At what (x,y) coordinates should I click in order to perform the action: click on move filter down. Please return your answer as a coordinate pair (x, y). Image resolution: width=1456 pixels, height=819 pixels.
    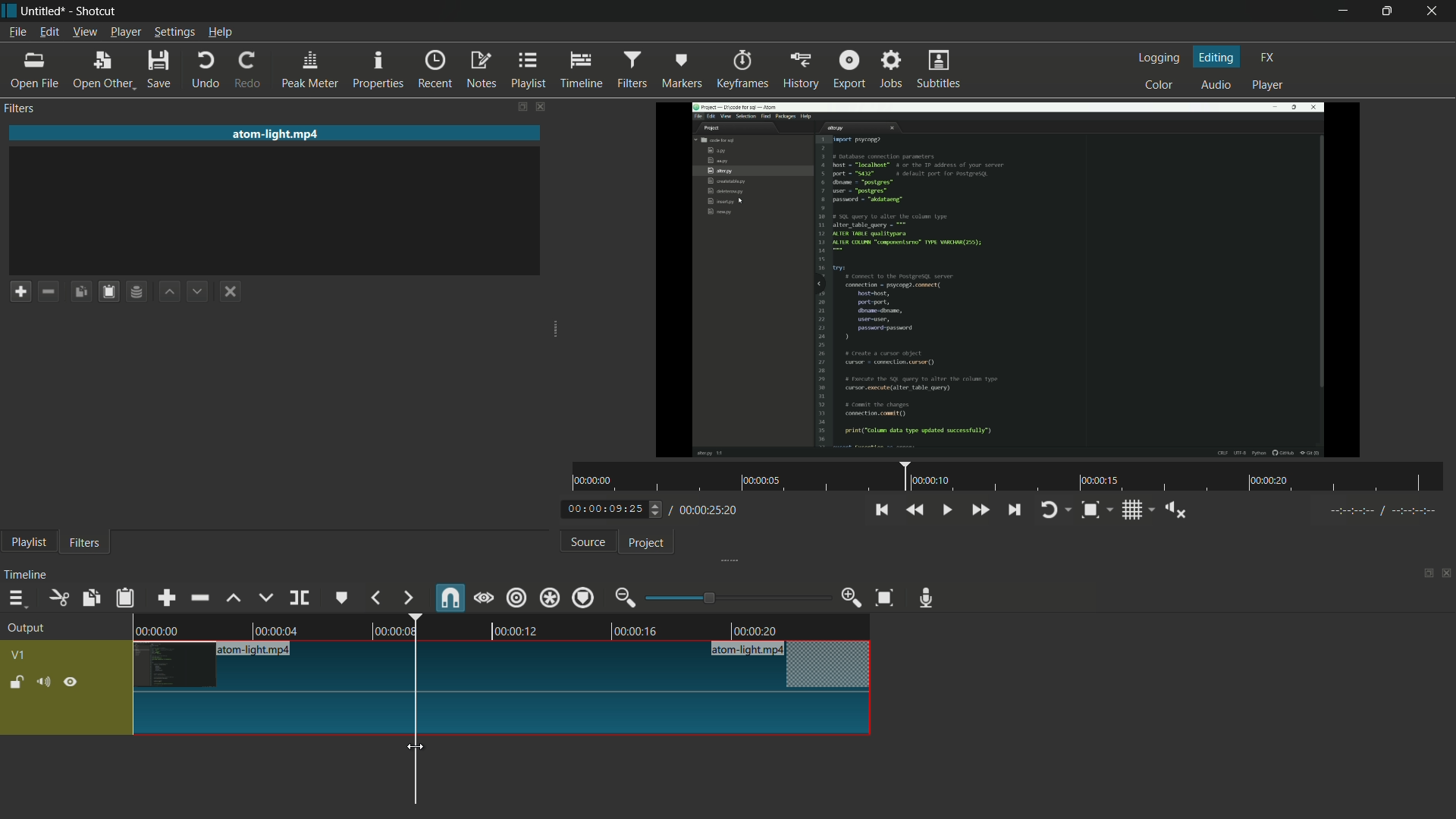
    Looking at the image, I should click on (202, 290).